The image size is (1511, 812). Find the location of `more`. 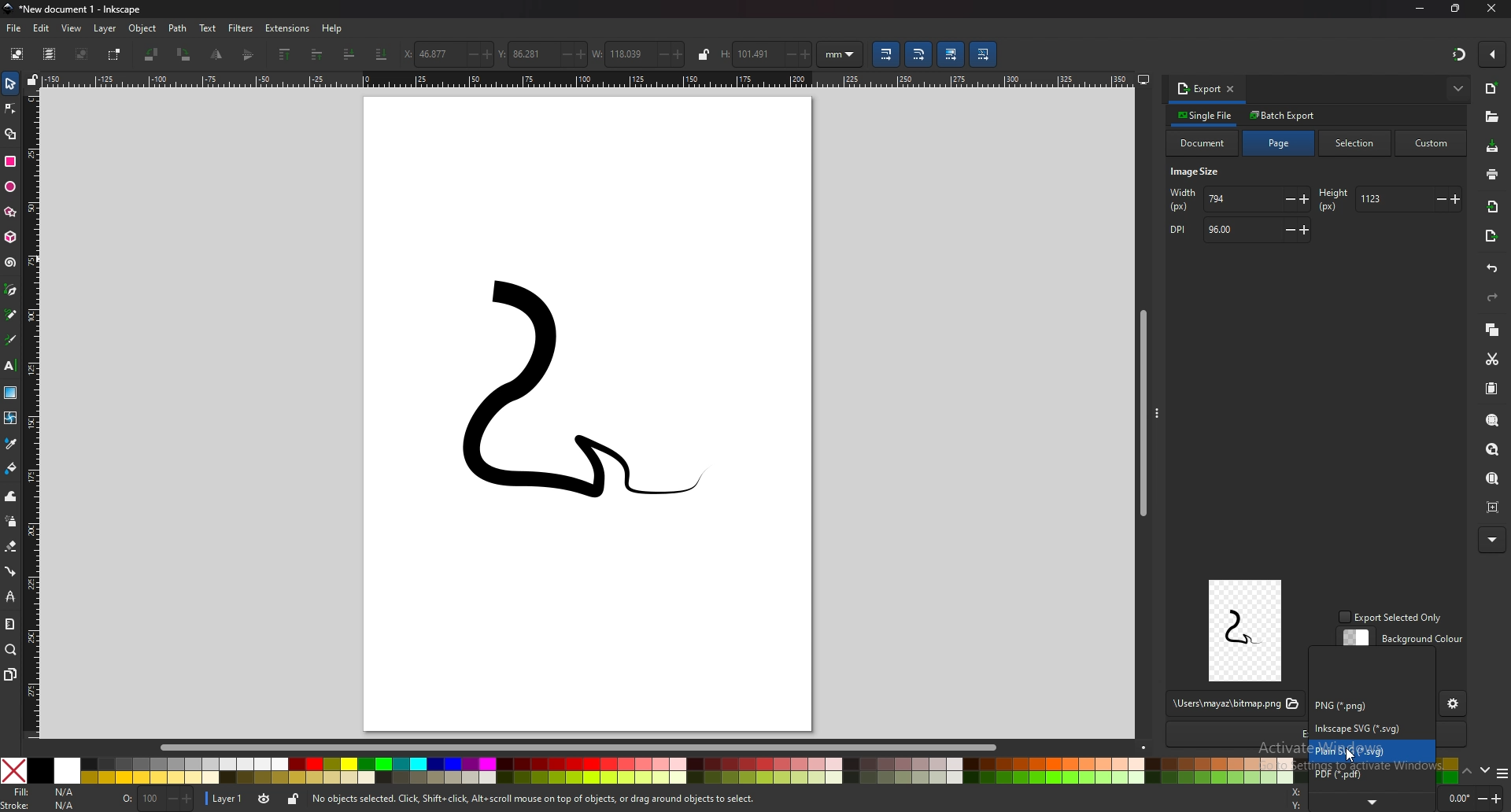

more is located at coordinates (1491, 540).